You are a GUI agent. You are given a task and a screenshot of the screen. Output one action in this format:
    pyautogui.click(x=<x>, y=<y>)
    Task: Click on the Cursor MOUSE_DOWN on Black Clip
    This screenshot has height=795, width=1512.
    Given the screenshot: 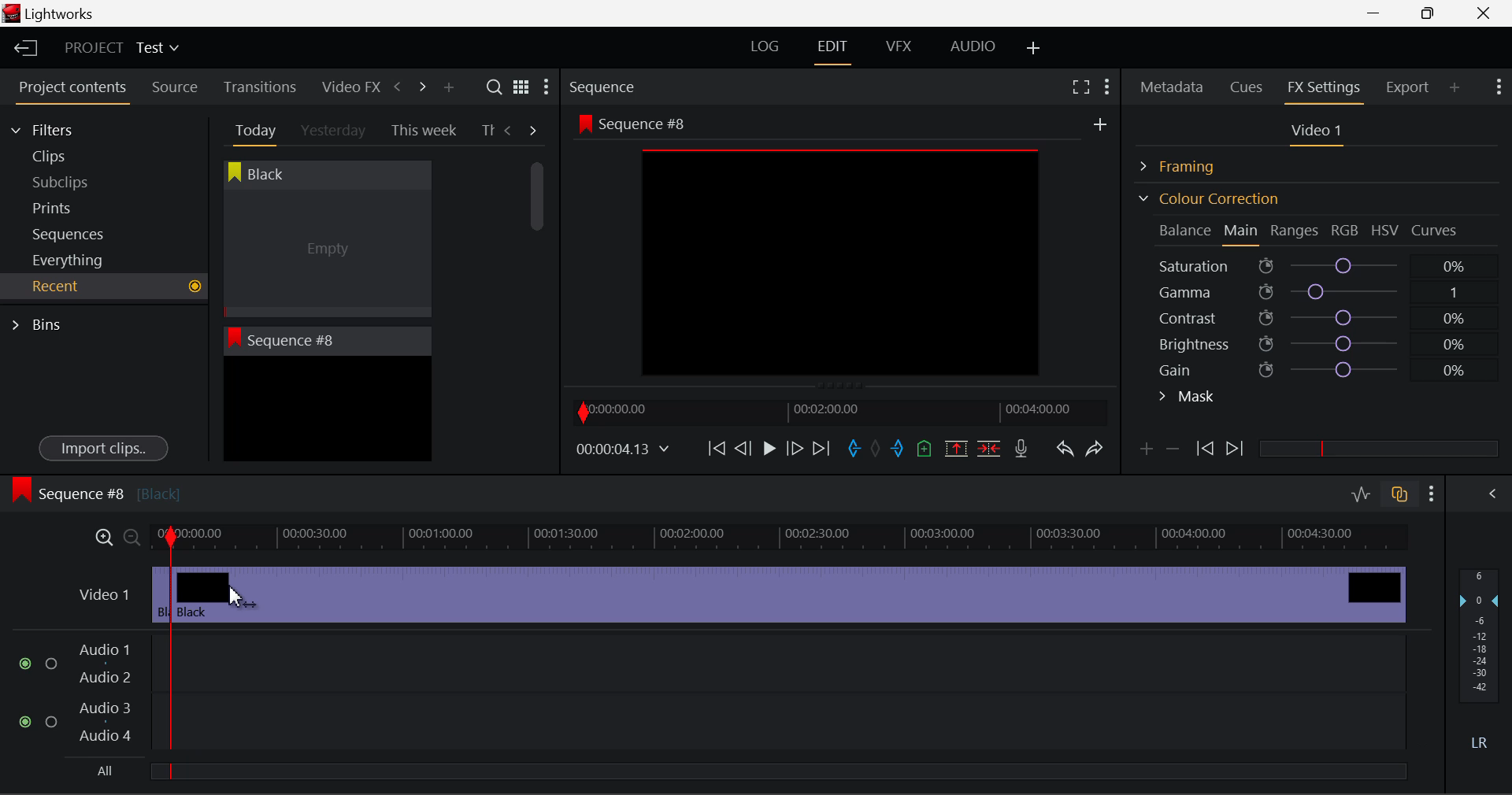 What is the action you would take?
    pyautogui.click(x=325, y=253)
    